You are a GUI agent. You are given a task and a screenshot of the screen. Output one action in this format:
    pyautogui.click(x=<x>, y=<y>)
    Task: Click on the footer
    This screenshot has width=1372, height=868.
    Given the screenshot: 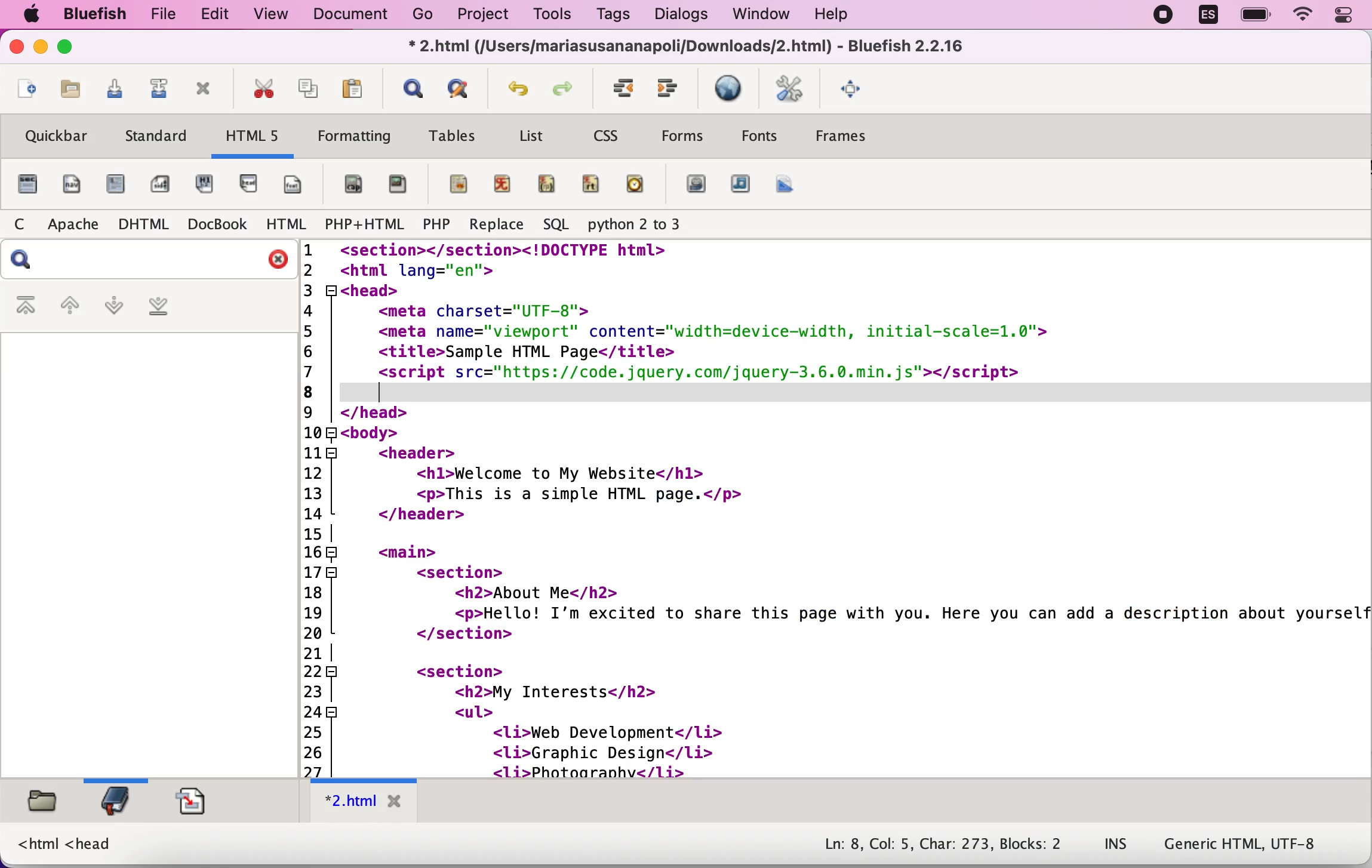 What is the action you would take?
    pyautogui.click(x=299, y=183)
    